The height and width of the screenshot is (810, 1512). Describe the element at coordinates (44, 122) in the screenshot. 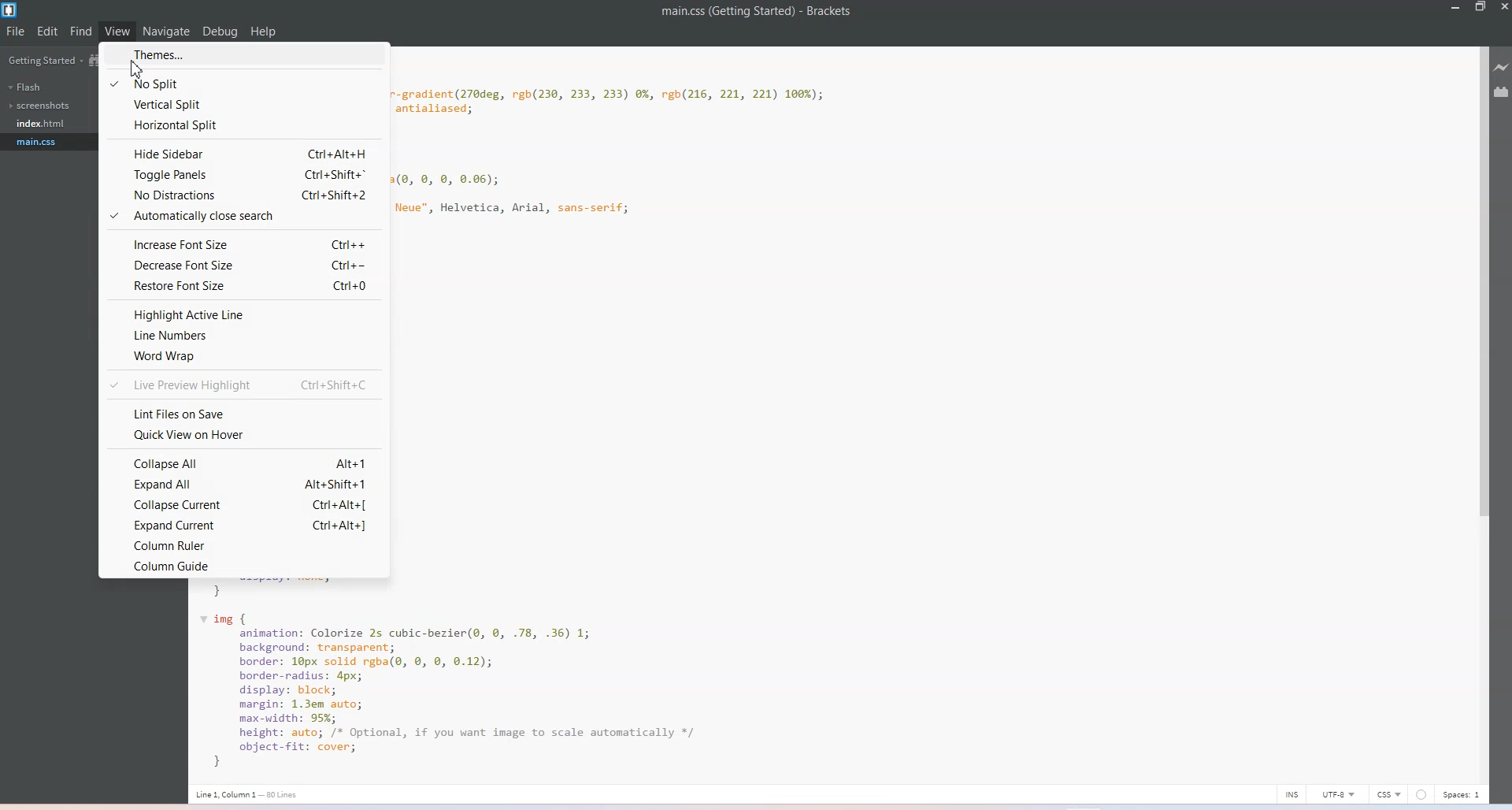

I see `Index.css` at that location.